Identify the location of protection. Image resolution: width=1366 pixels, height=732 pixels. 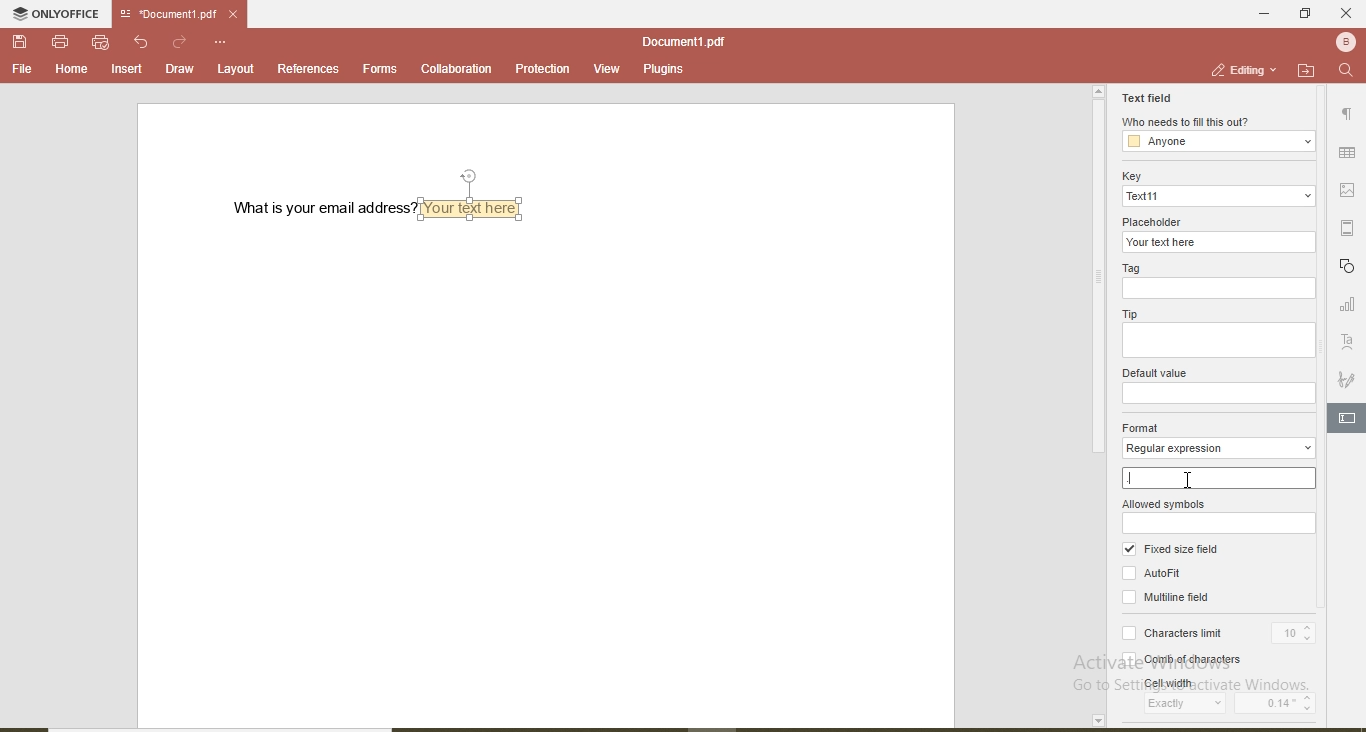
(541, 69).